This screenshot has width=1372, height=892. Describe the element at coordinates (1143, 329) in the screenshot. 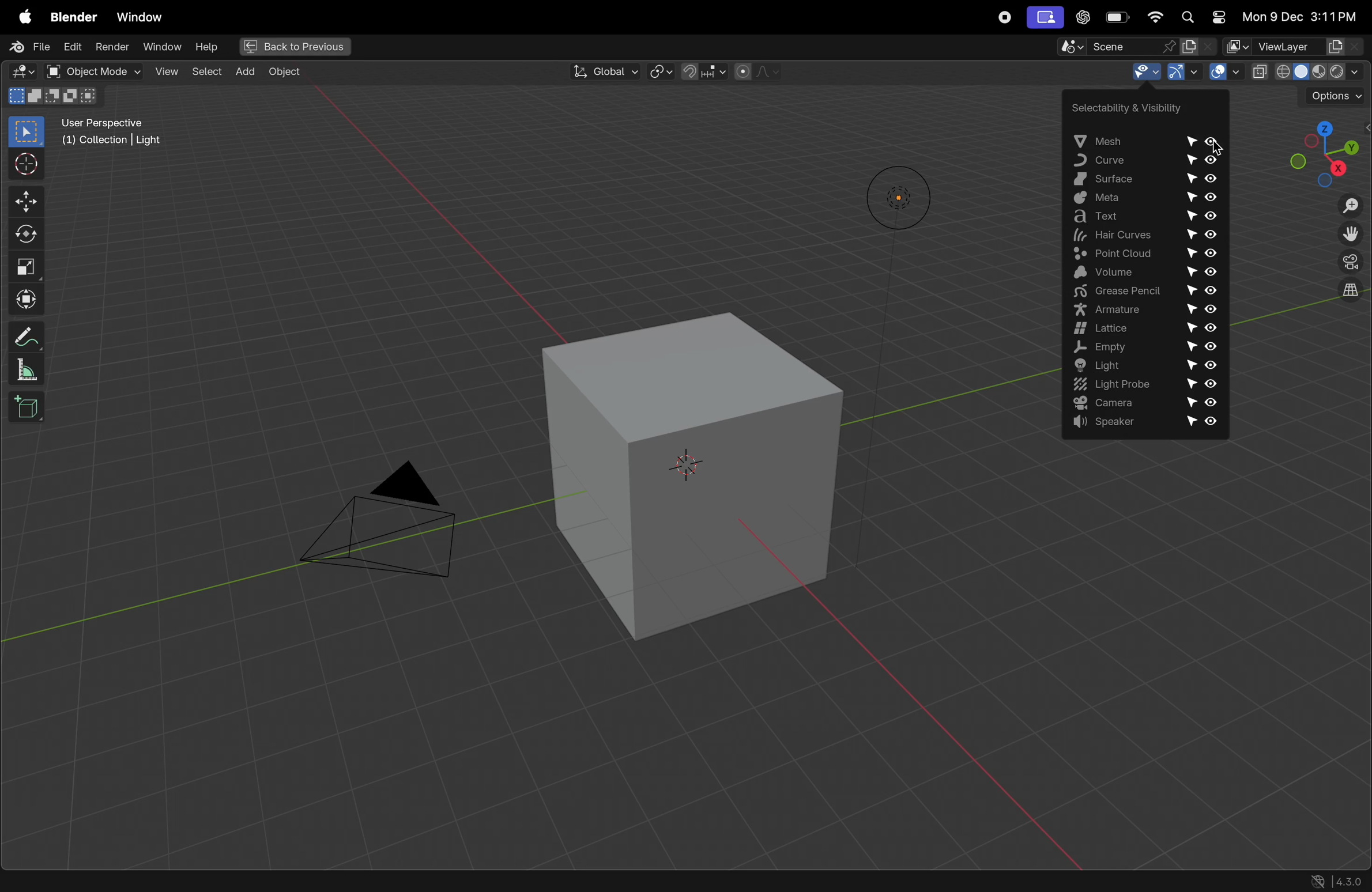

I see `lattice` at that location.